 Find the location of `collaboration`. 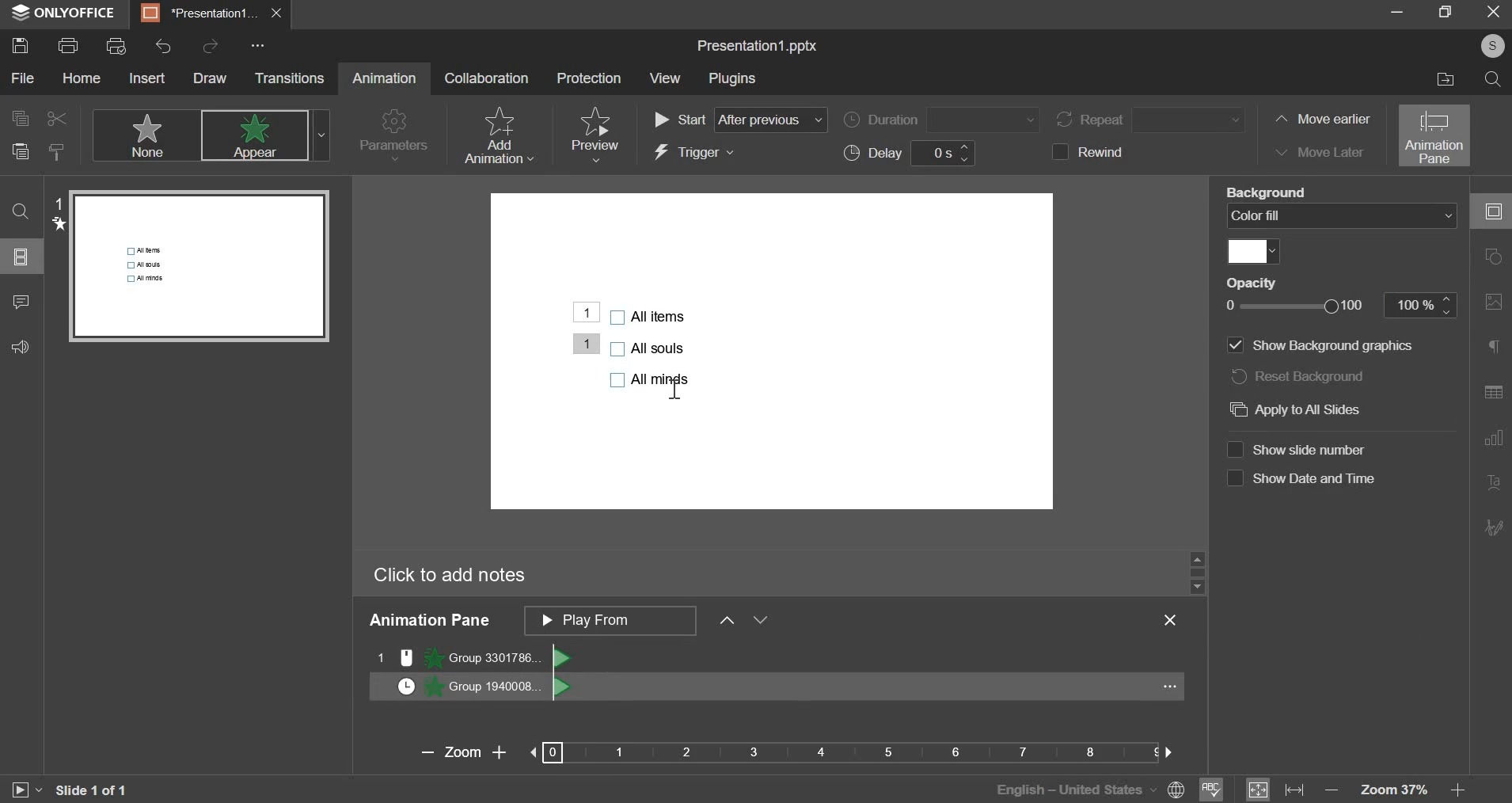

collaboration is located at coordinates (487, 77).